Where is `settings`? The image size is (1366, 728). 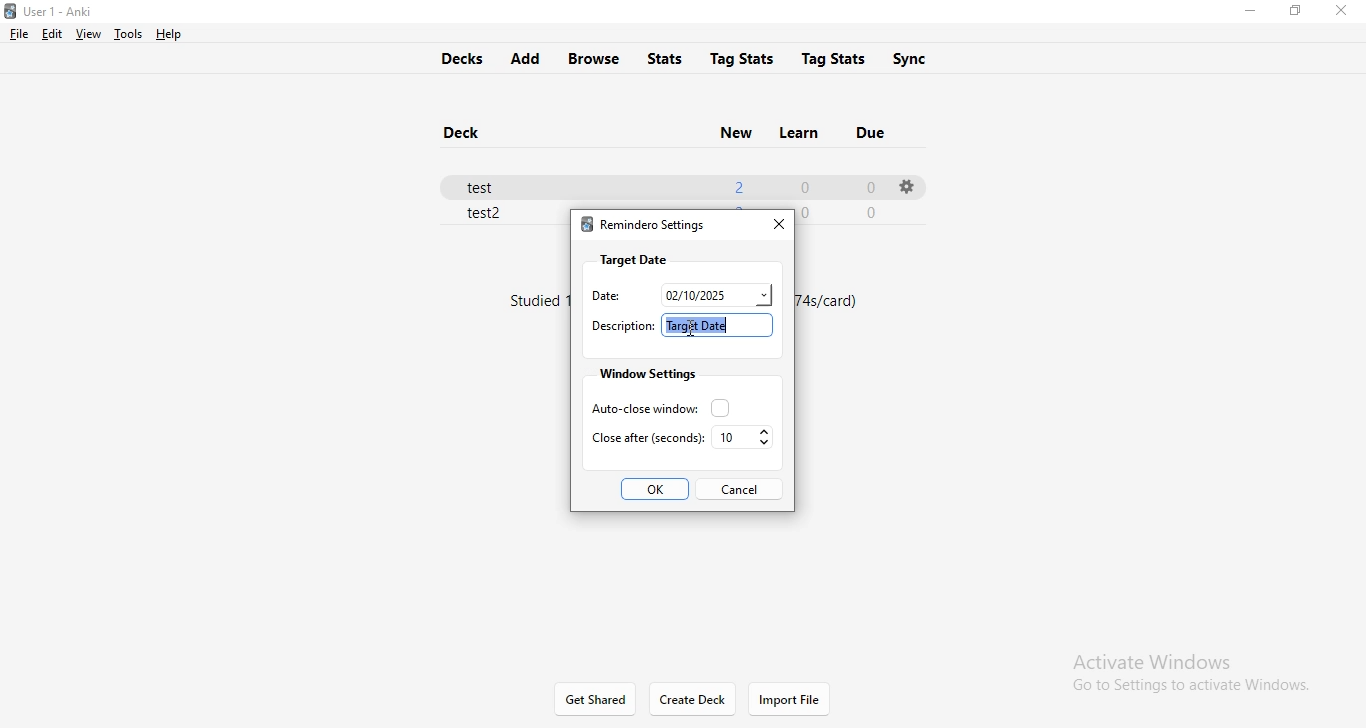
settings is located at coordinates (905, 186).